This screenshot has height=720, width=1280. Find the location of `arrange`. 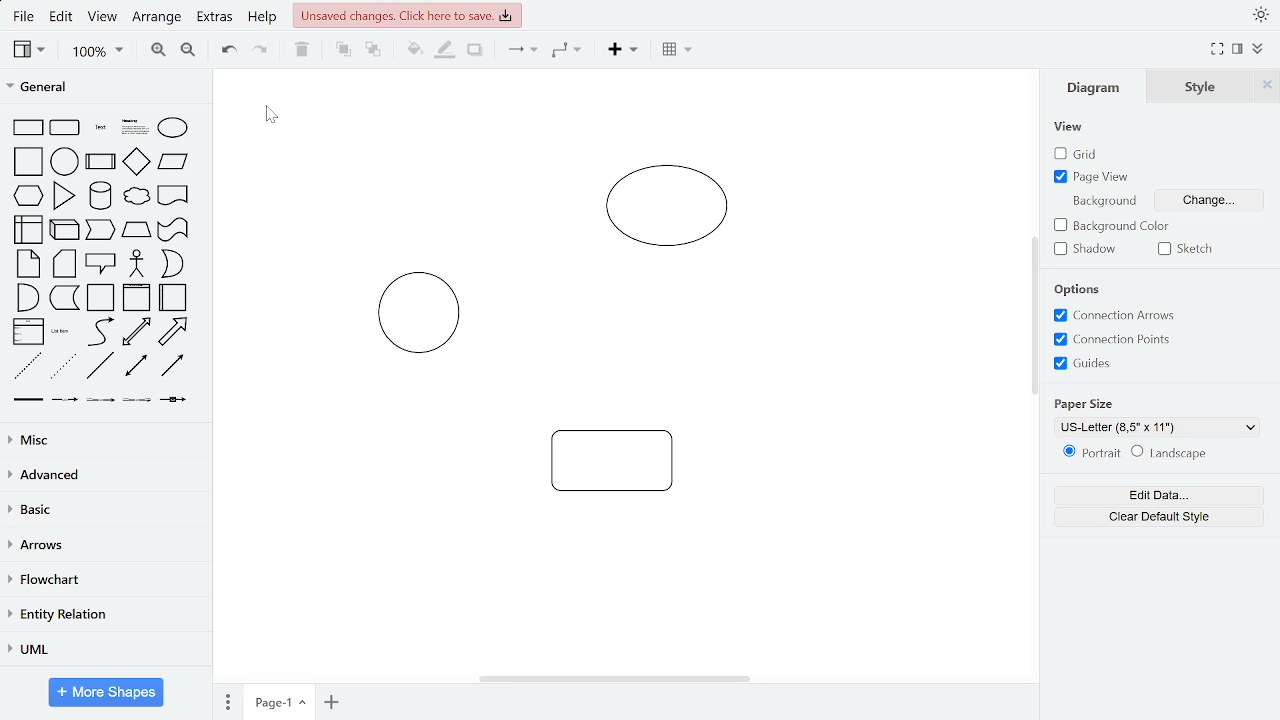

arrange is located at coordinates (159, 17).